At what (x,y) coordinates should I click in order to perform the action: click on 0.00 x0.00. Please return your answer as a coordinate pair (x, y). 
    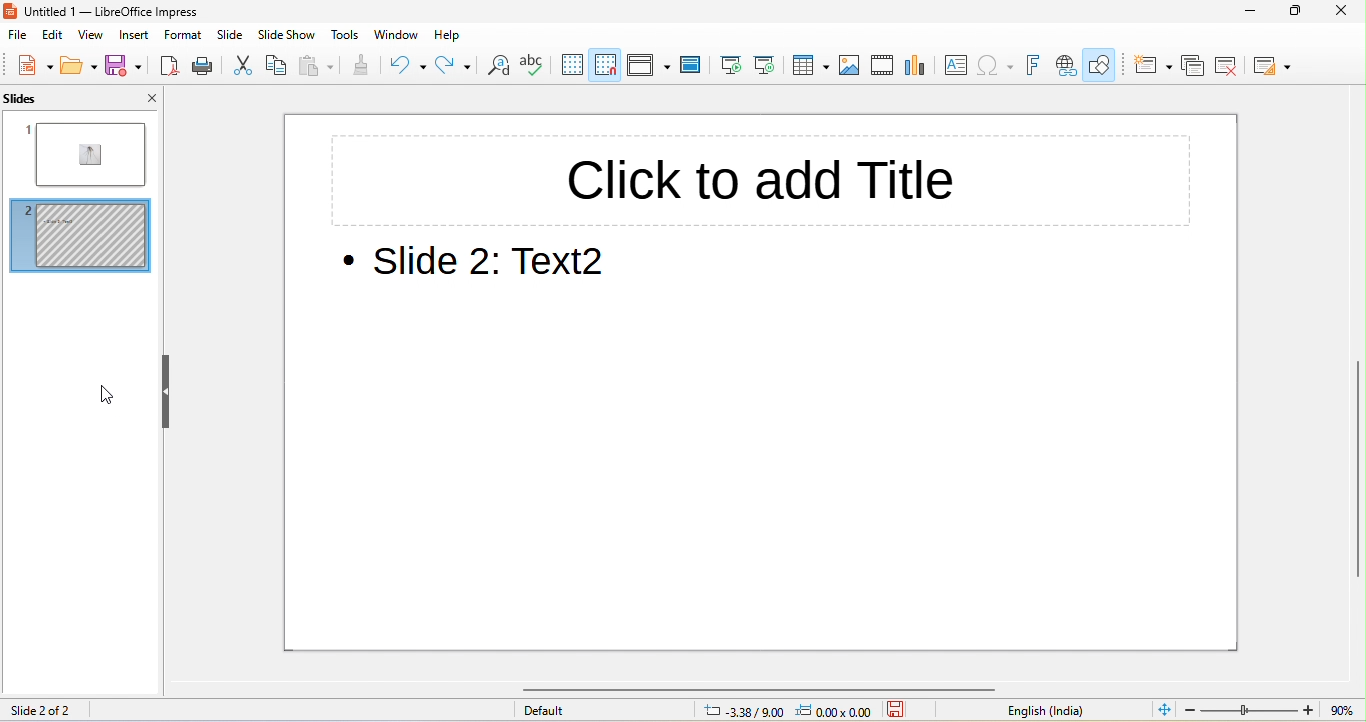
    Looking at the image, I should click on (836, 710).